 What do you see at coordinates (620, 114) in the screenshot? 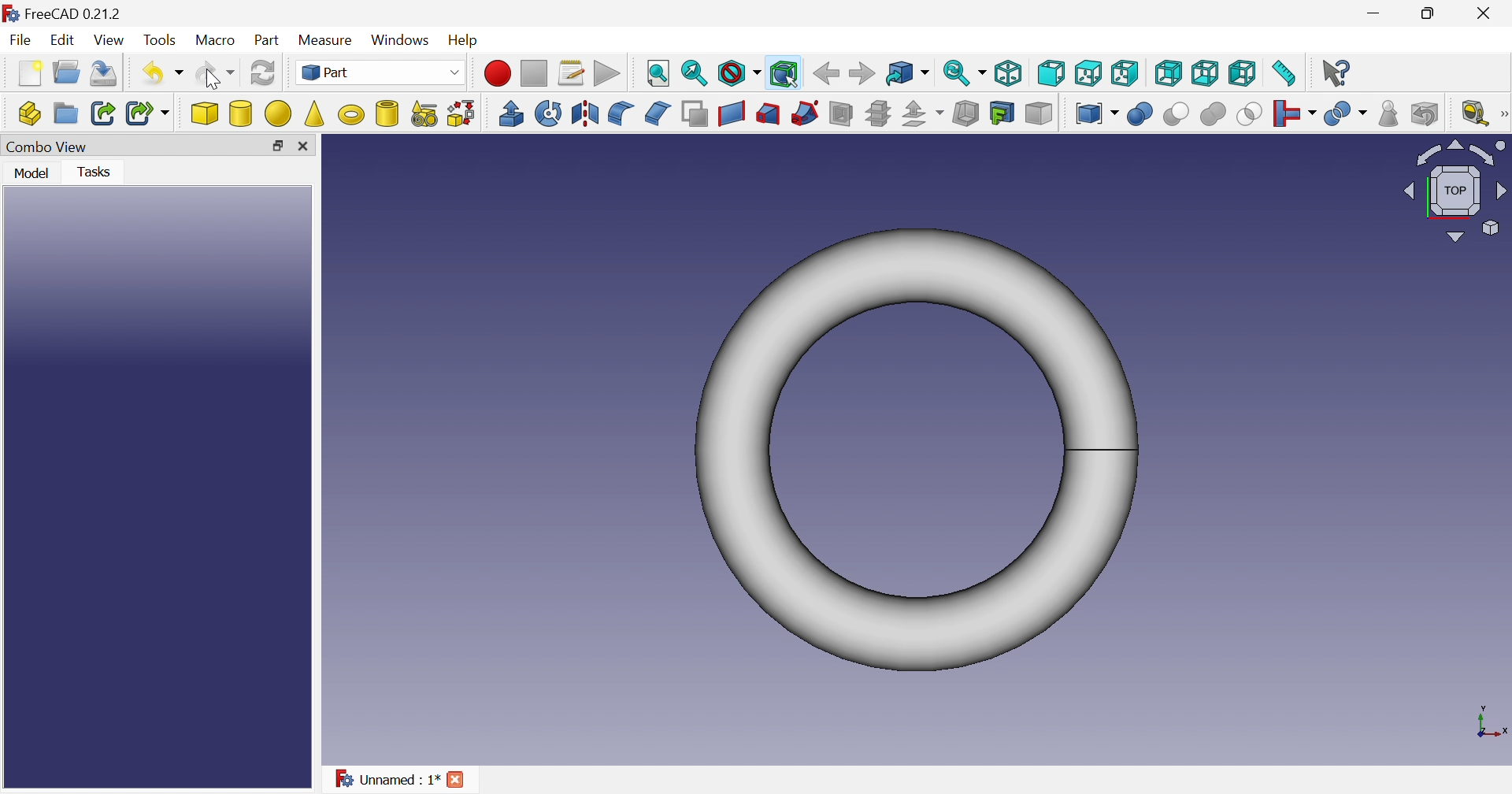
I see `Fillet...` at bounding box center [620, 114].